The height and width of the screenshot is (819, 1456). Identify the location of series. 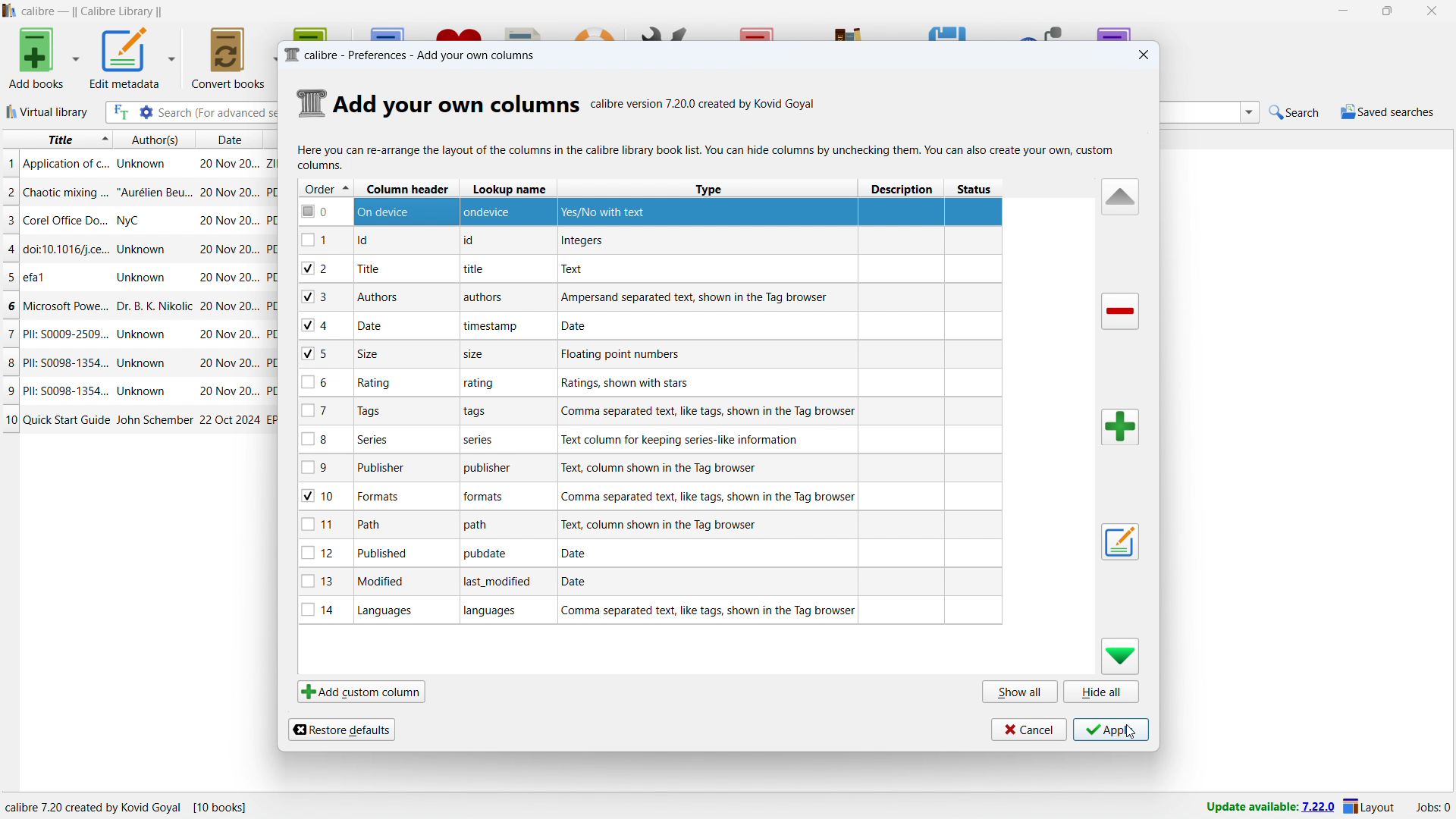
(382, 438).